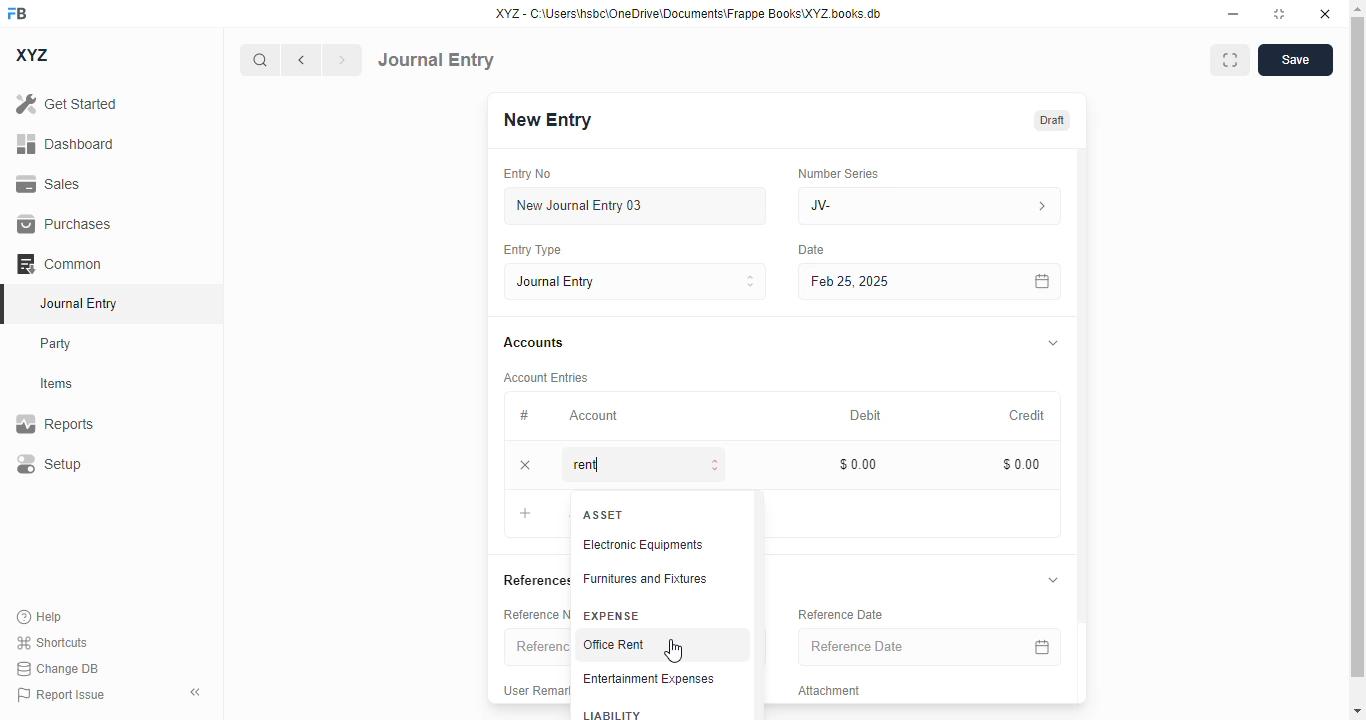 The width and height of the screenshot is (1366, 720). Describe the element at coordinates (1039, 207) in the screenshot. I see `number series information` at that location.